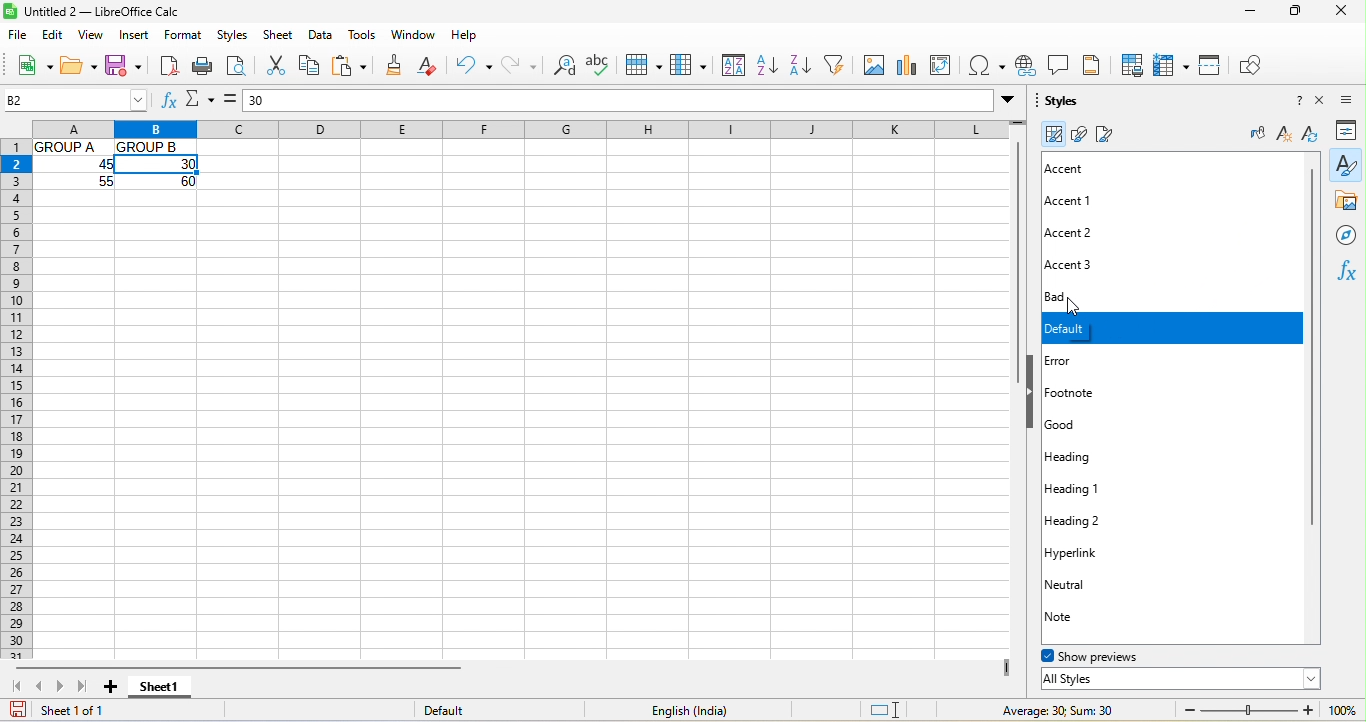 The width and height of the screenshot is (1366, 722). I want to click on cut, so click(274, 68).